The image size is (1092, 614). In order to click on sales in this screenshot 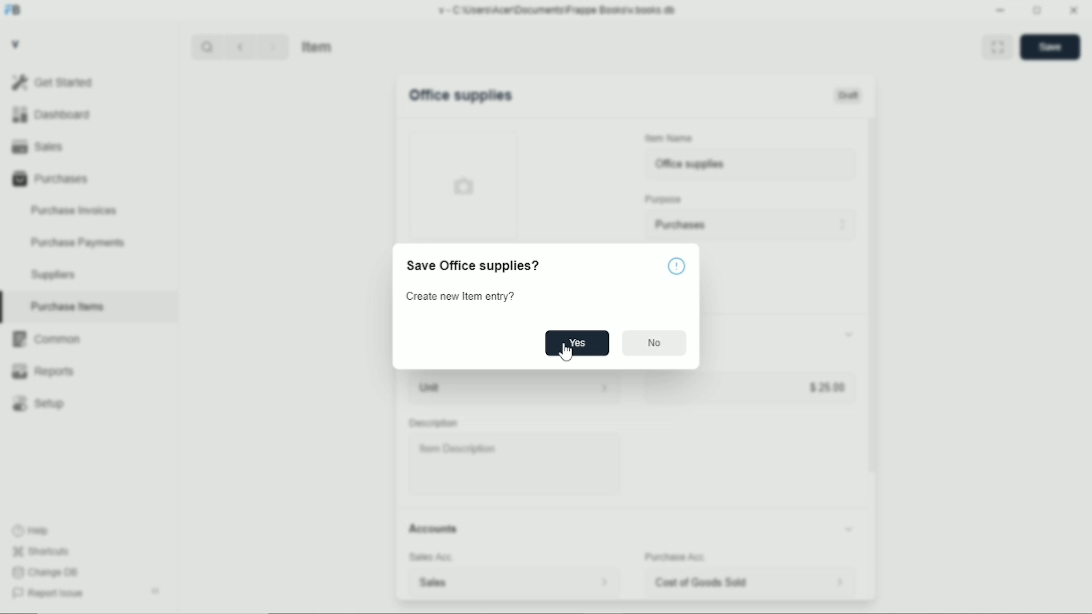, I will do `click(481, 583)`.